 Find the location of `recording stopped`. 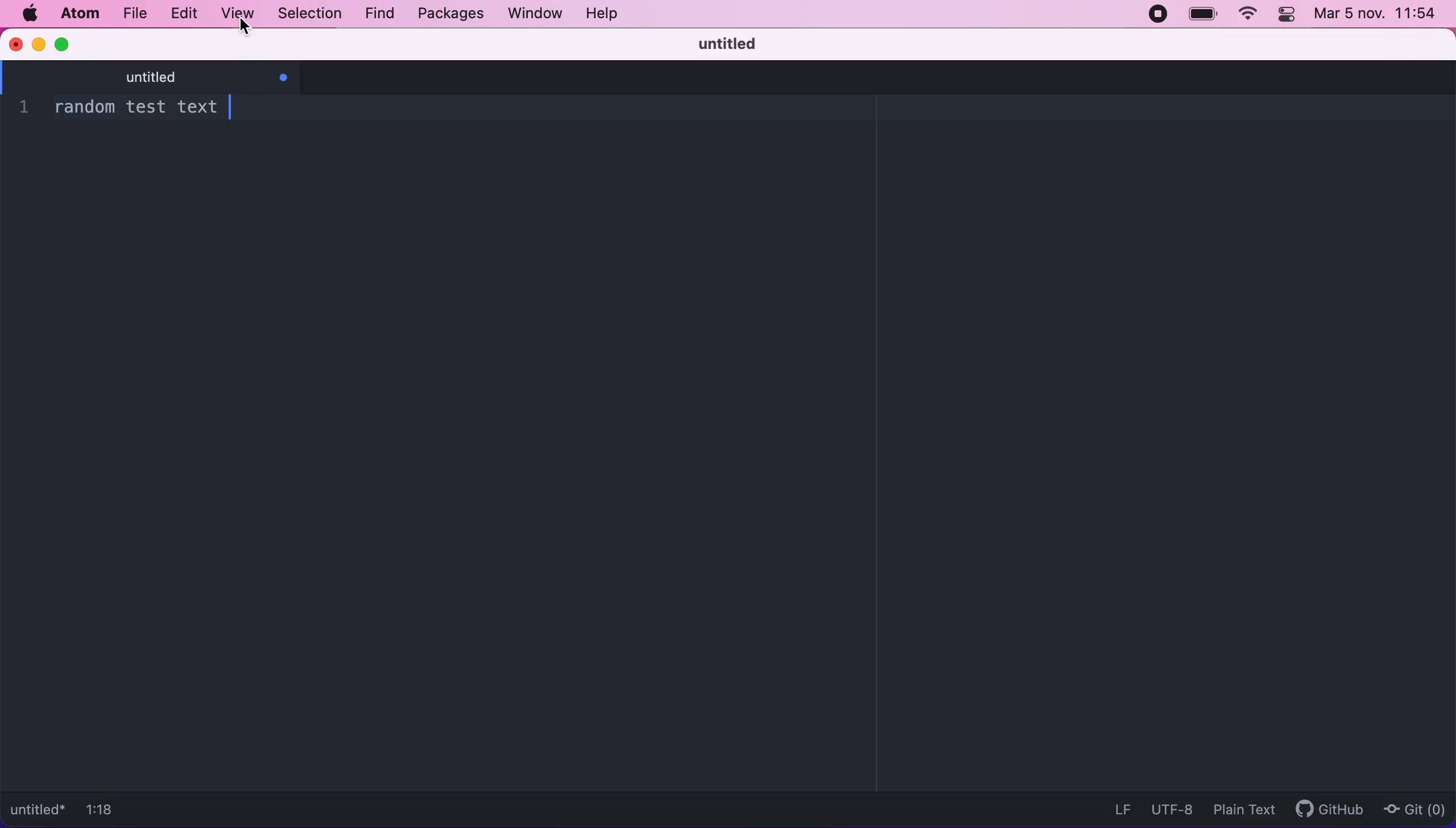

recording stopped is located at coordinates (1161, 17).